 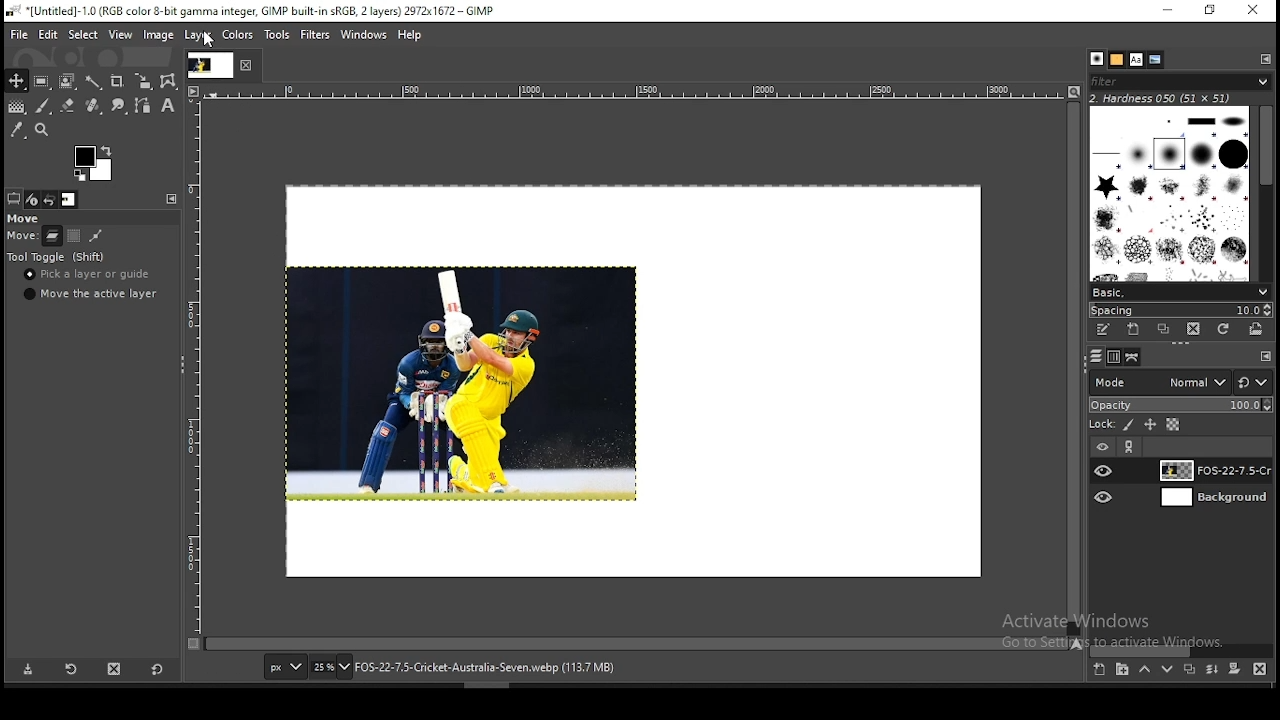 I want to click on spacing, so click(x=1180, y=309).